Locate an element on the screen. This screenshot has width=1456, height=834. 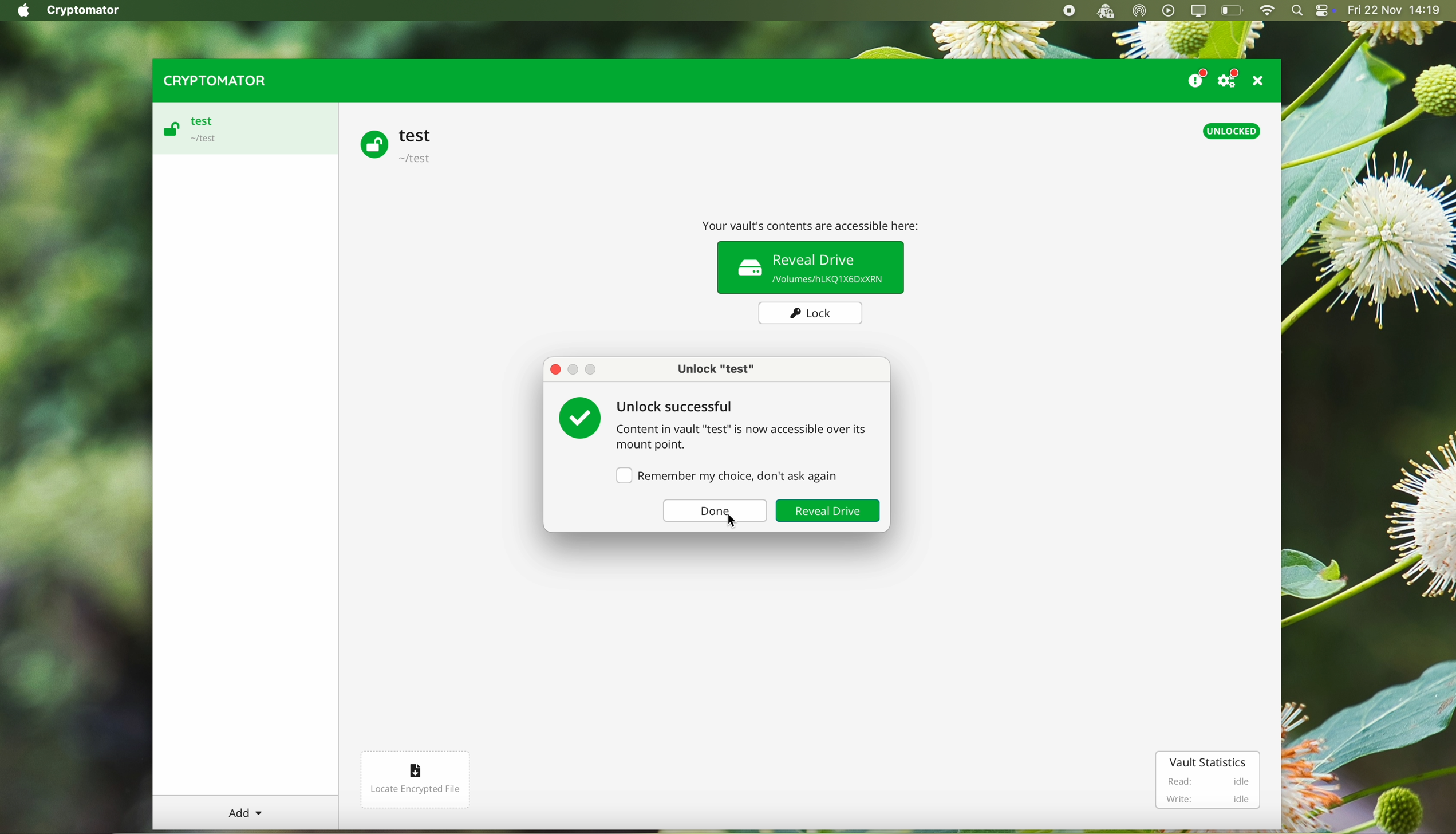
reveal drive is located at coordinates (828, 511).